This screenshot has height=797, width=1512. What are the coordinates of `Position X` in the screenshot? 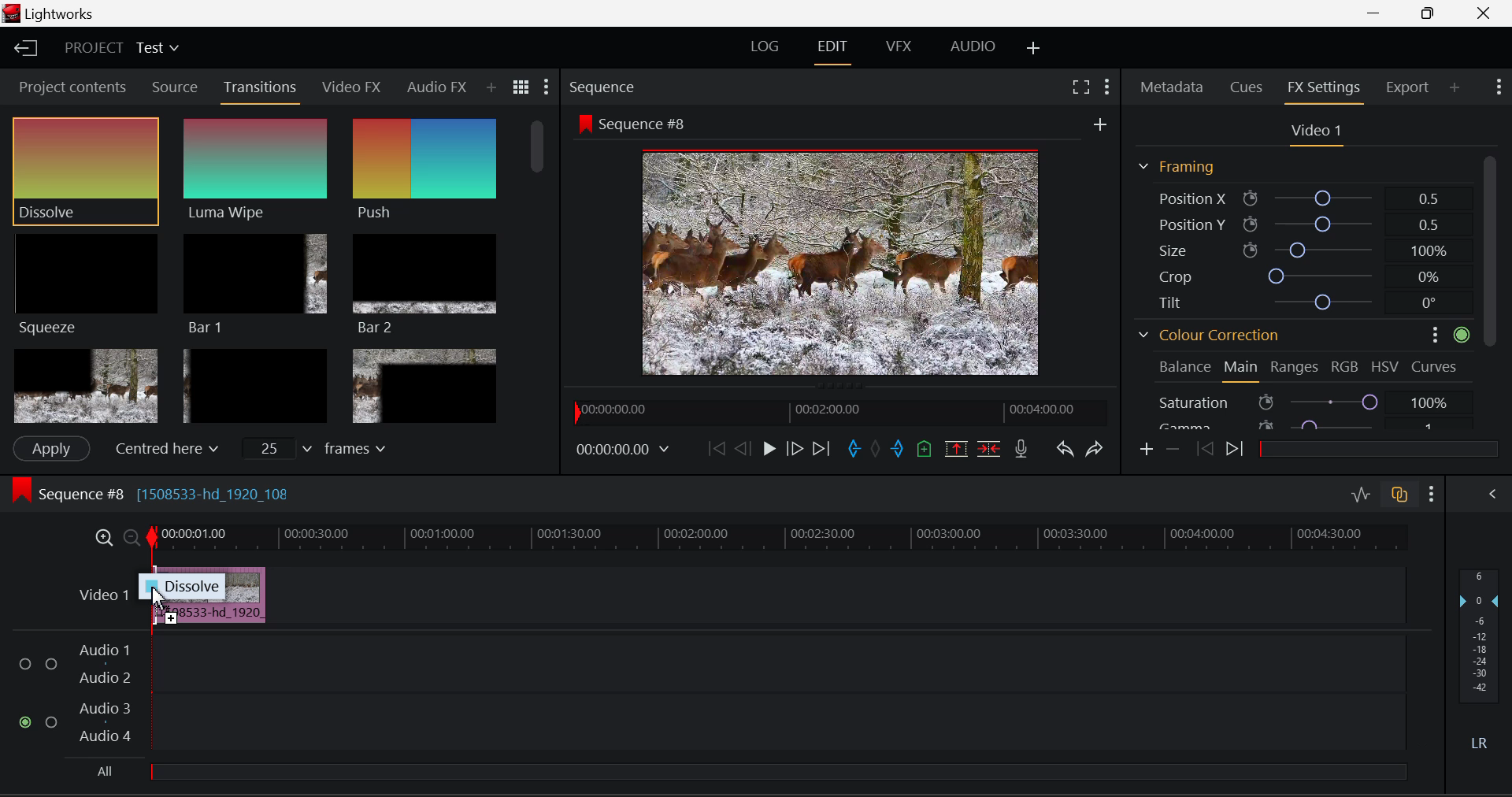 It's located at (1299, 198).